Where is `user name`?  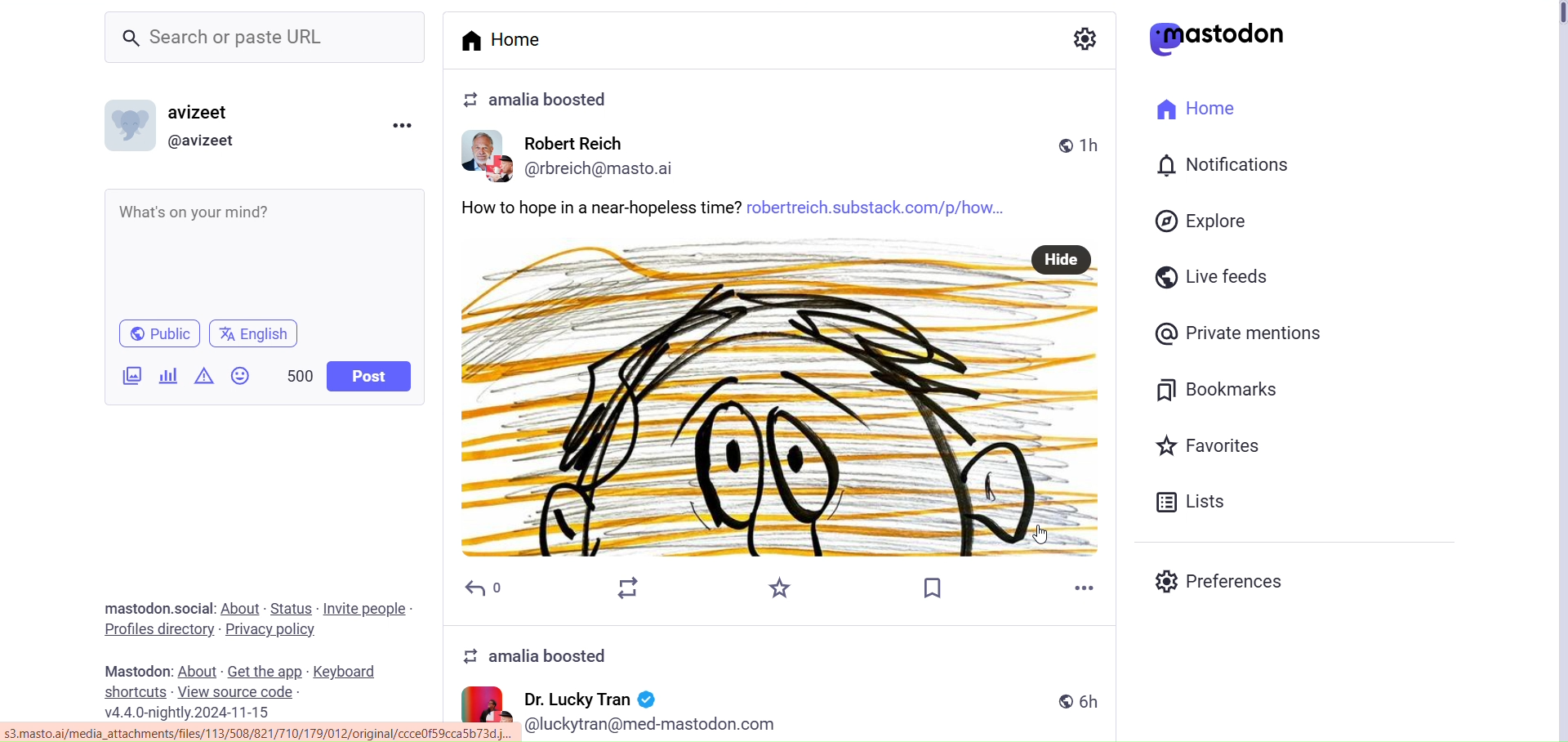
user name is located at coordinates (592, 143).